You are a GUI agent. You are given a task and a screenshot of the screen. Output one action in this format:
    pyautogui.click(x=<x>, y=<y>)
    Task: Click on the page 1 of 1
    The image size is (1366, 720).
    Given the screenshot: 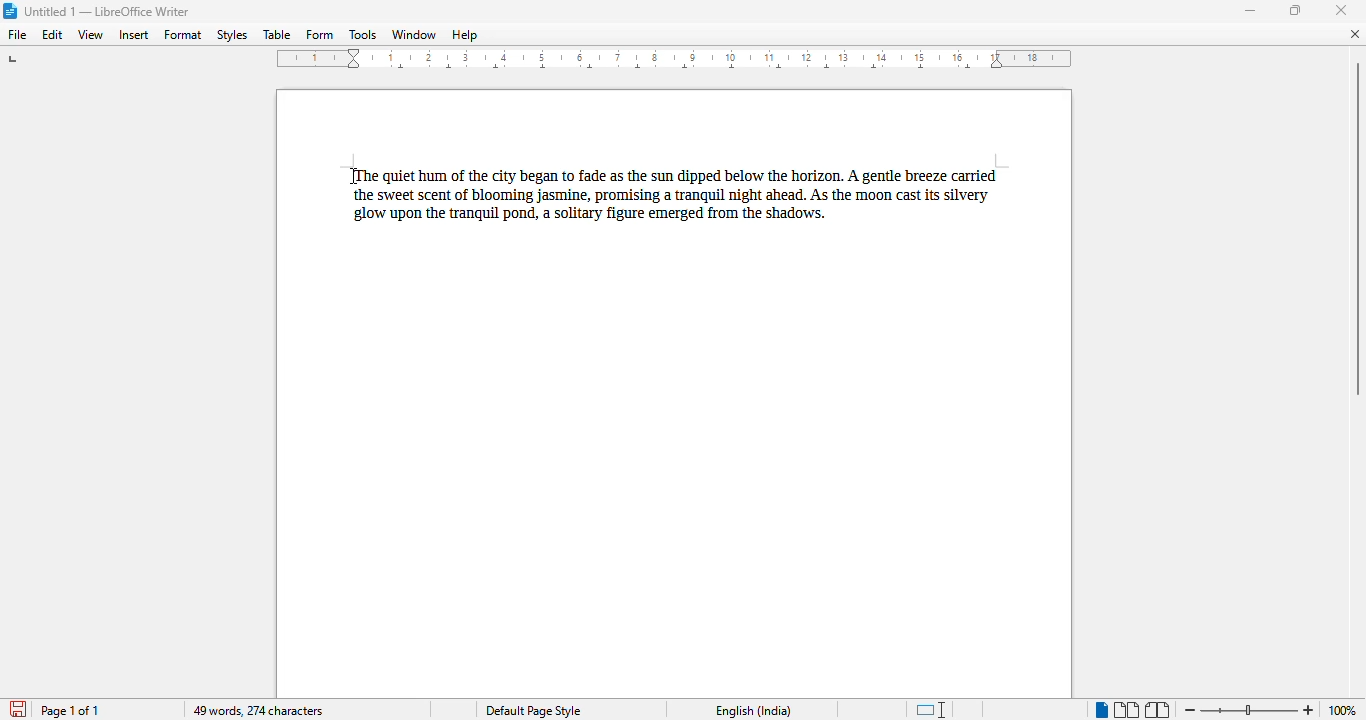 What is the action you would take?
    pyautogui.click(x=70, y=711)
    